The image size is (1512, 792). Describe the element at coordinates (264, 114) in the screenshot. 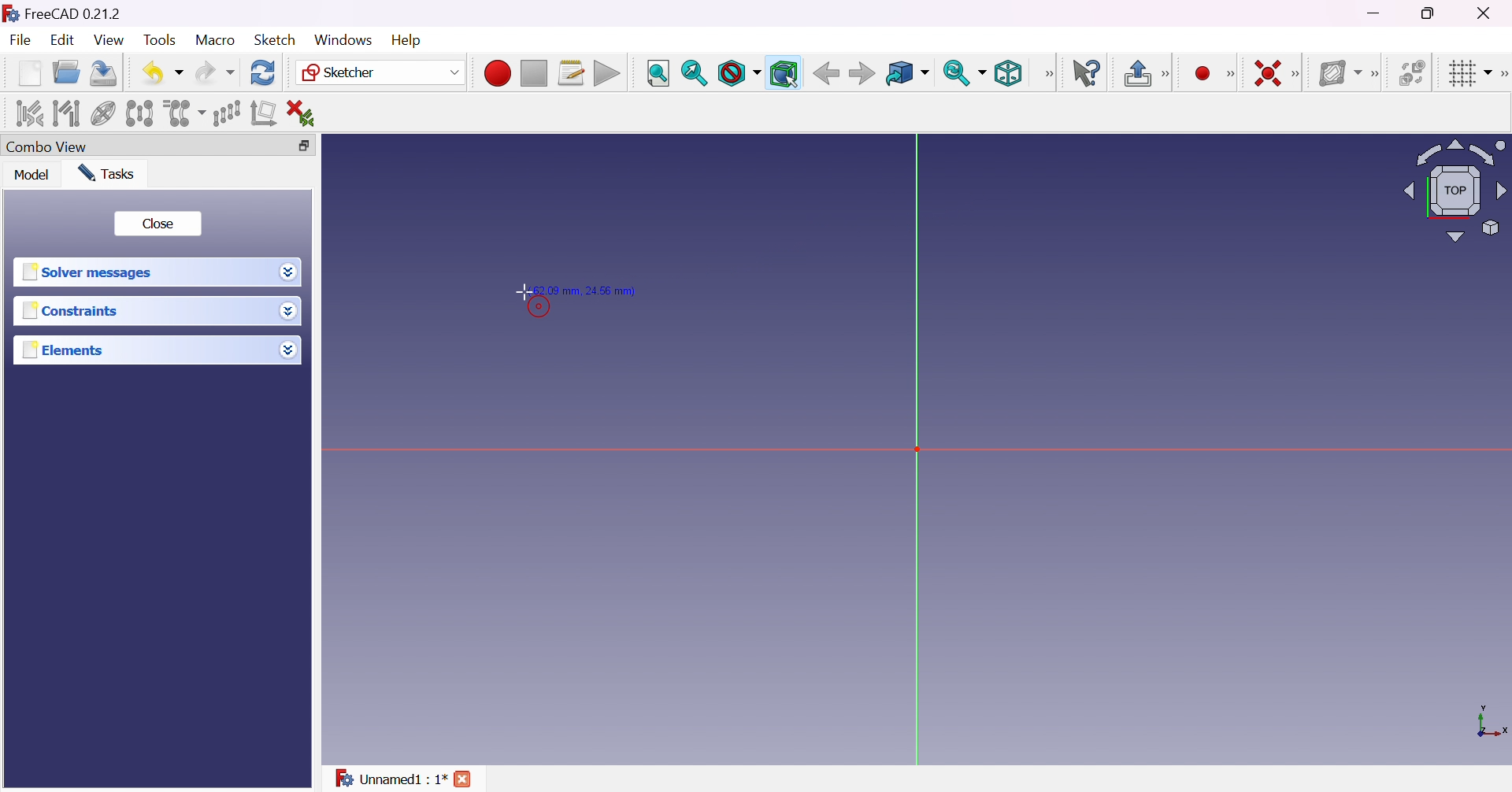

I see `Remove axes alignment` at that location.